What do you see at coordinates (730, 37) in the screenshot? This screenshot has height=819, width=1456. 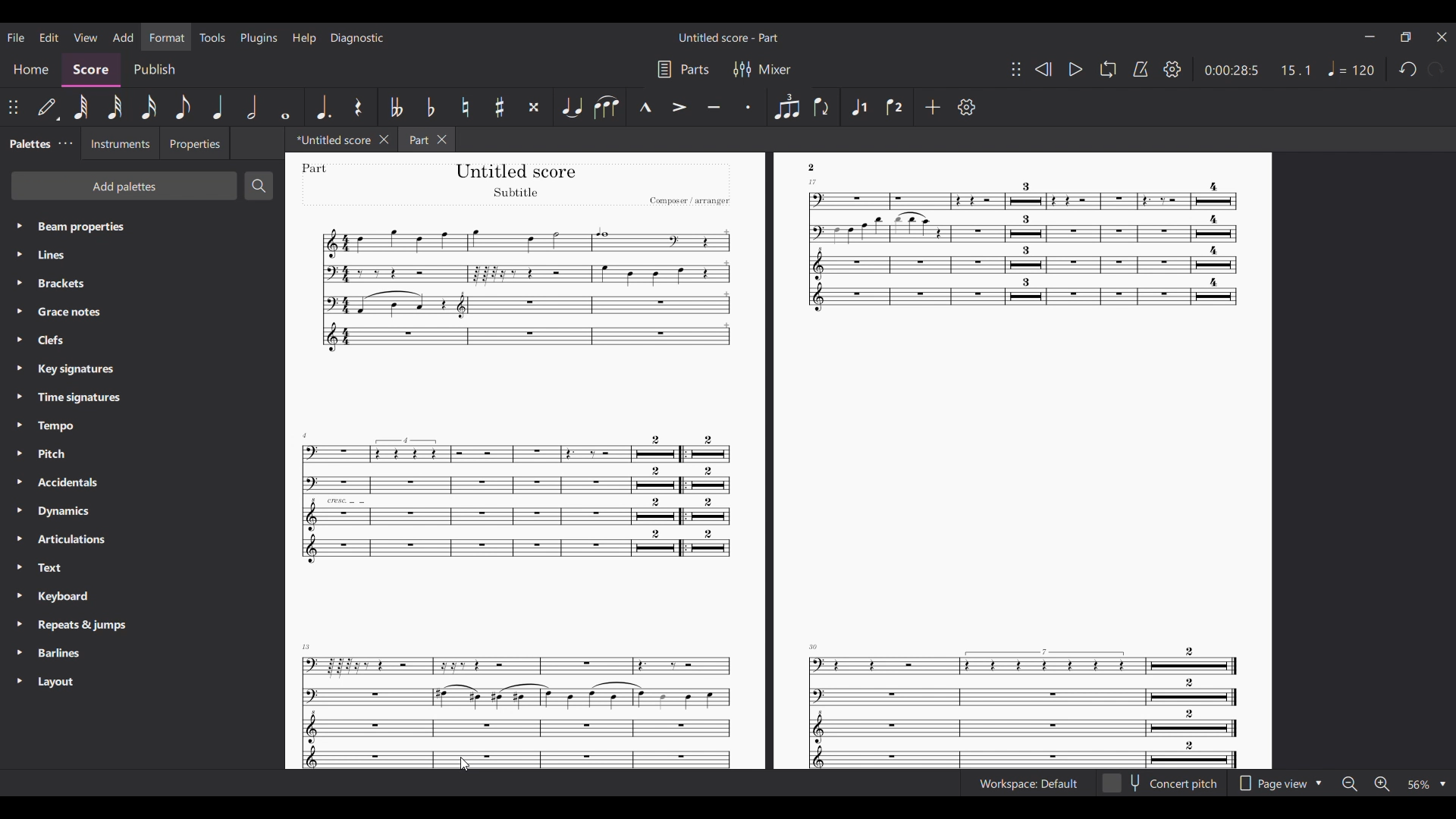 I see `Untitled score - Part` at bounding box center [730, 37].